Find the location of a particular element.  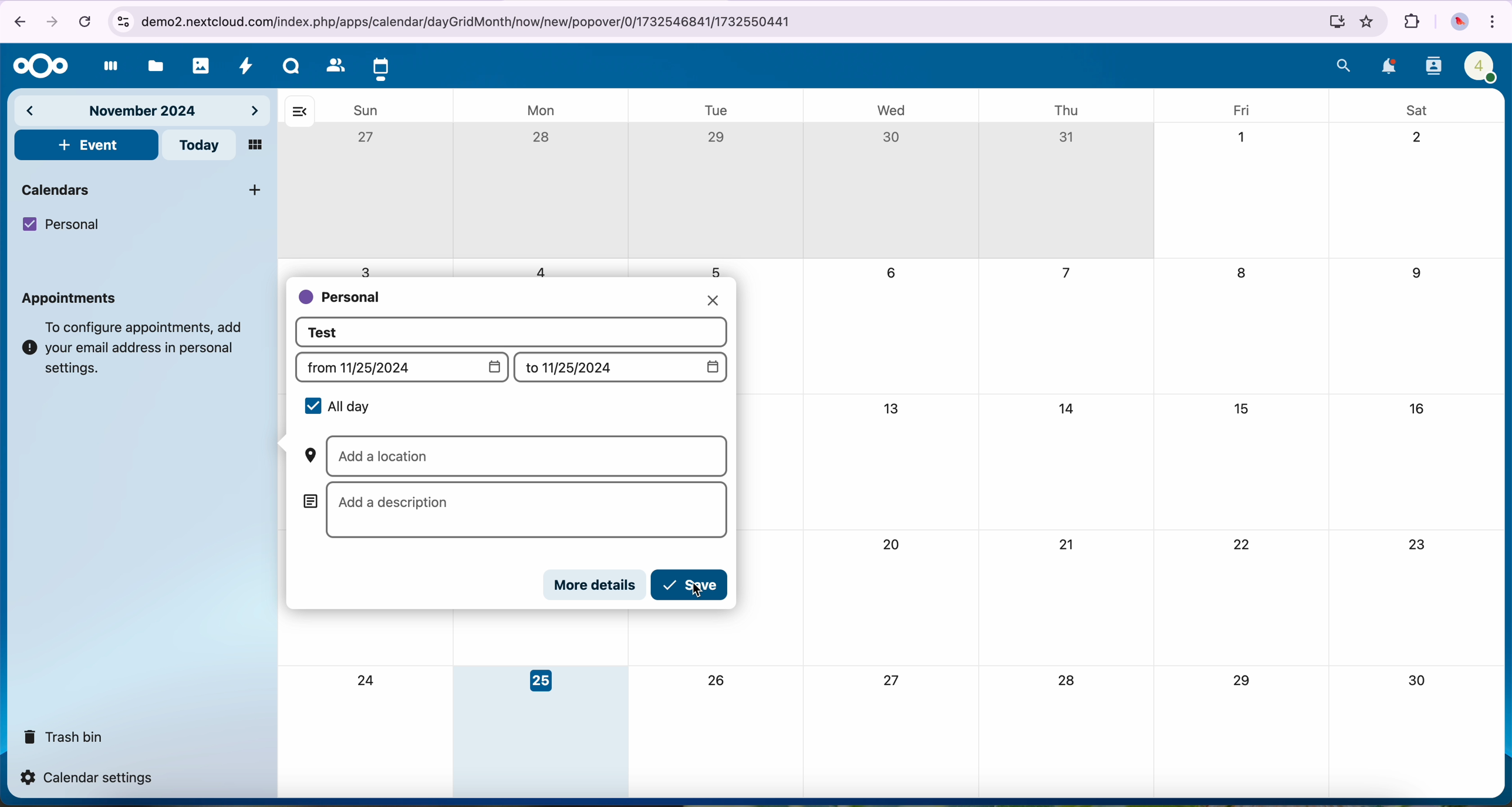

all day selected is located at coordinates (336, 407).